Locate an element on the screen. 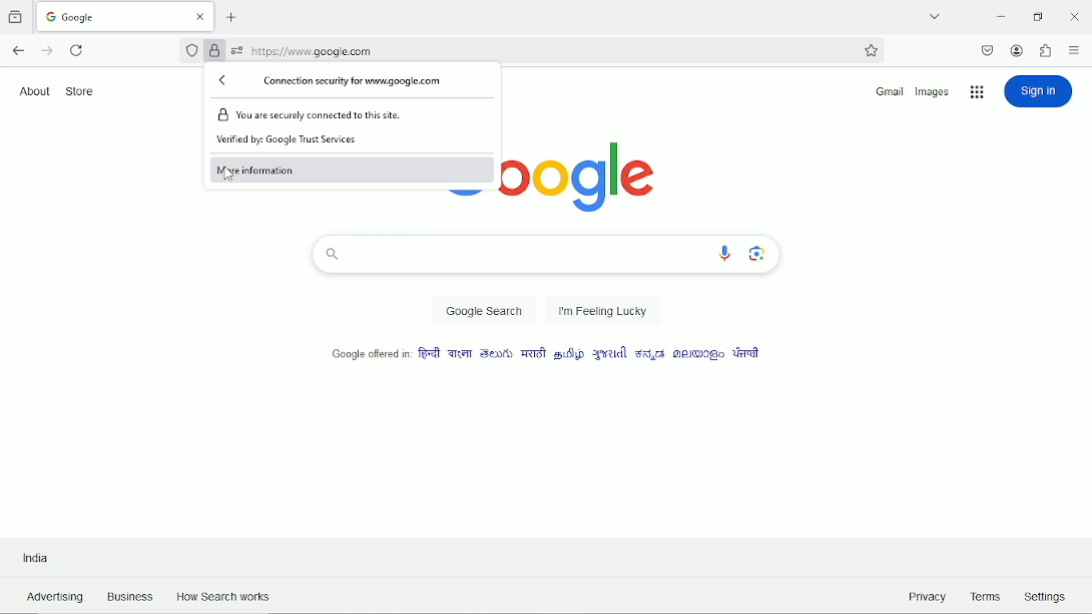  You have granted this website additional permissions is located at coordinates (237, 50).